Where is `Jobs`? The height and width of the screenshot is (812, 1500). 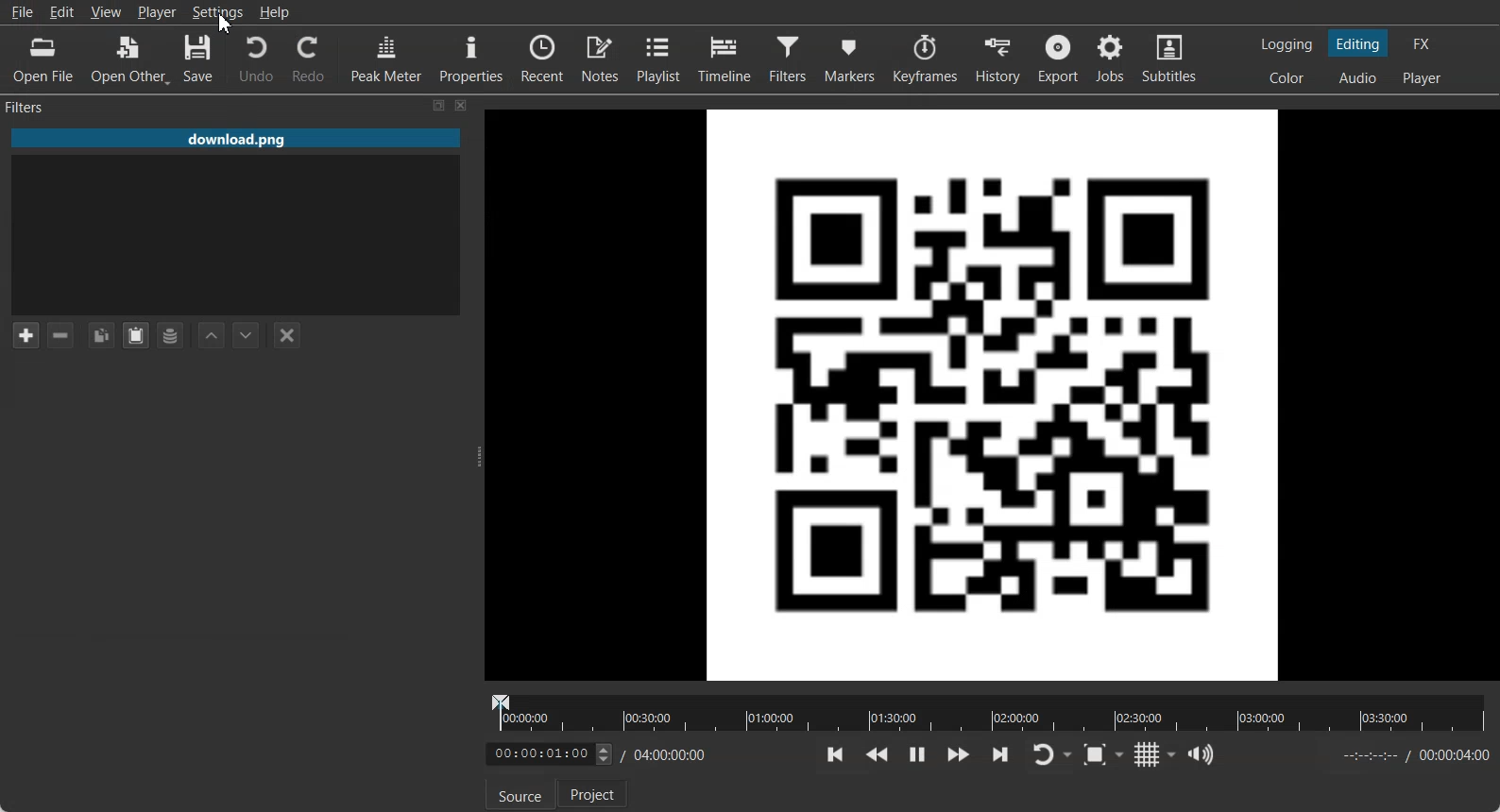 Jobs is located at coordinates (1112, 59).